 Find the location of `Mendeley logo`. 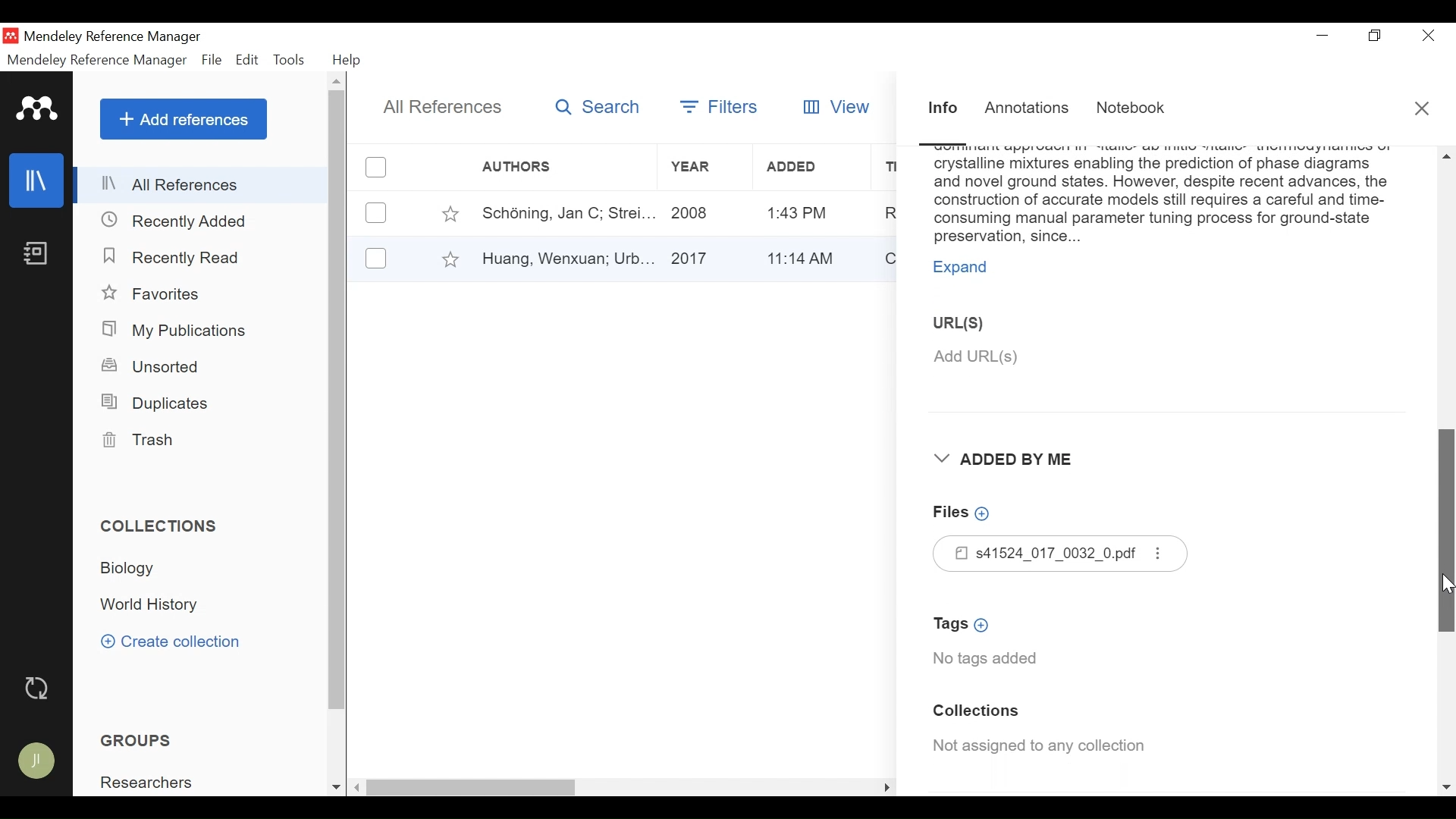

Mendeley logo is located at coordinates (39, 109).